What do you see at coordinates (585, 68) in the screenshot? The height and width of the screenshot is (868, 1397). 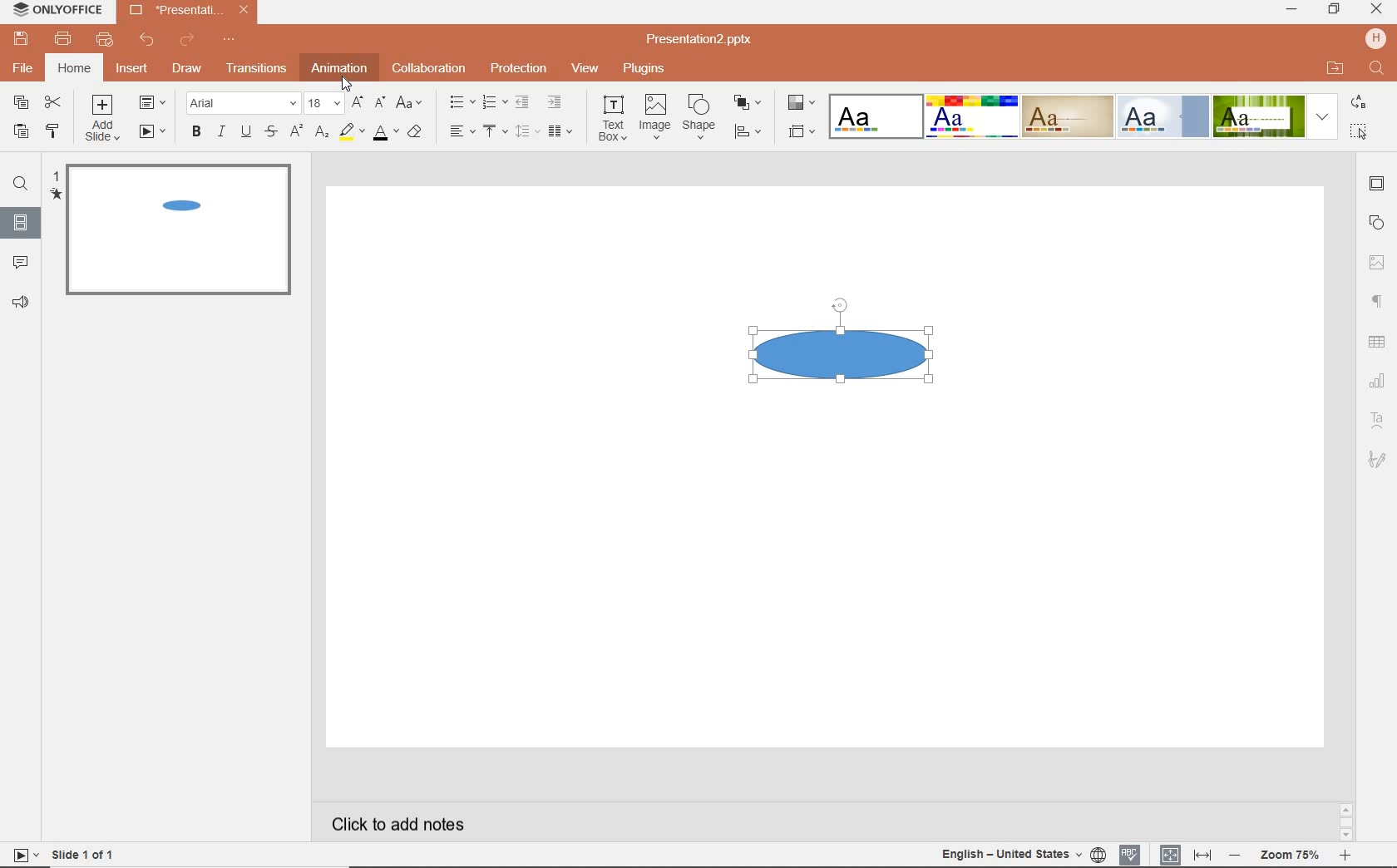 I see `view` at bounding box center [585, 68].